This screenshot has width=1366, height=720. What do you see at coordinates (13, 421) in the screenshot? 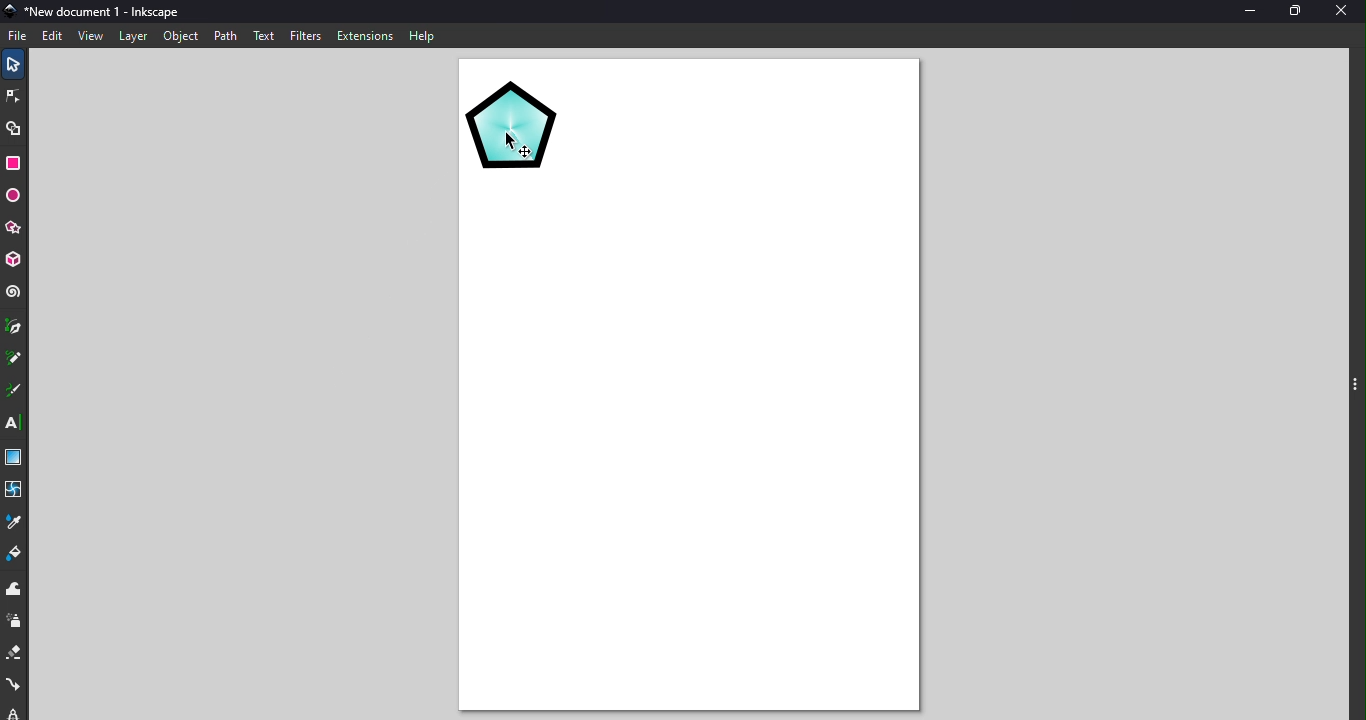
I see `Text tool` at bounding box center [13, 421].